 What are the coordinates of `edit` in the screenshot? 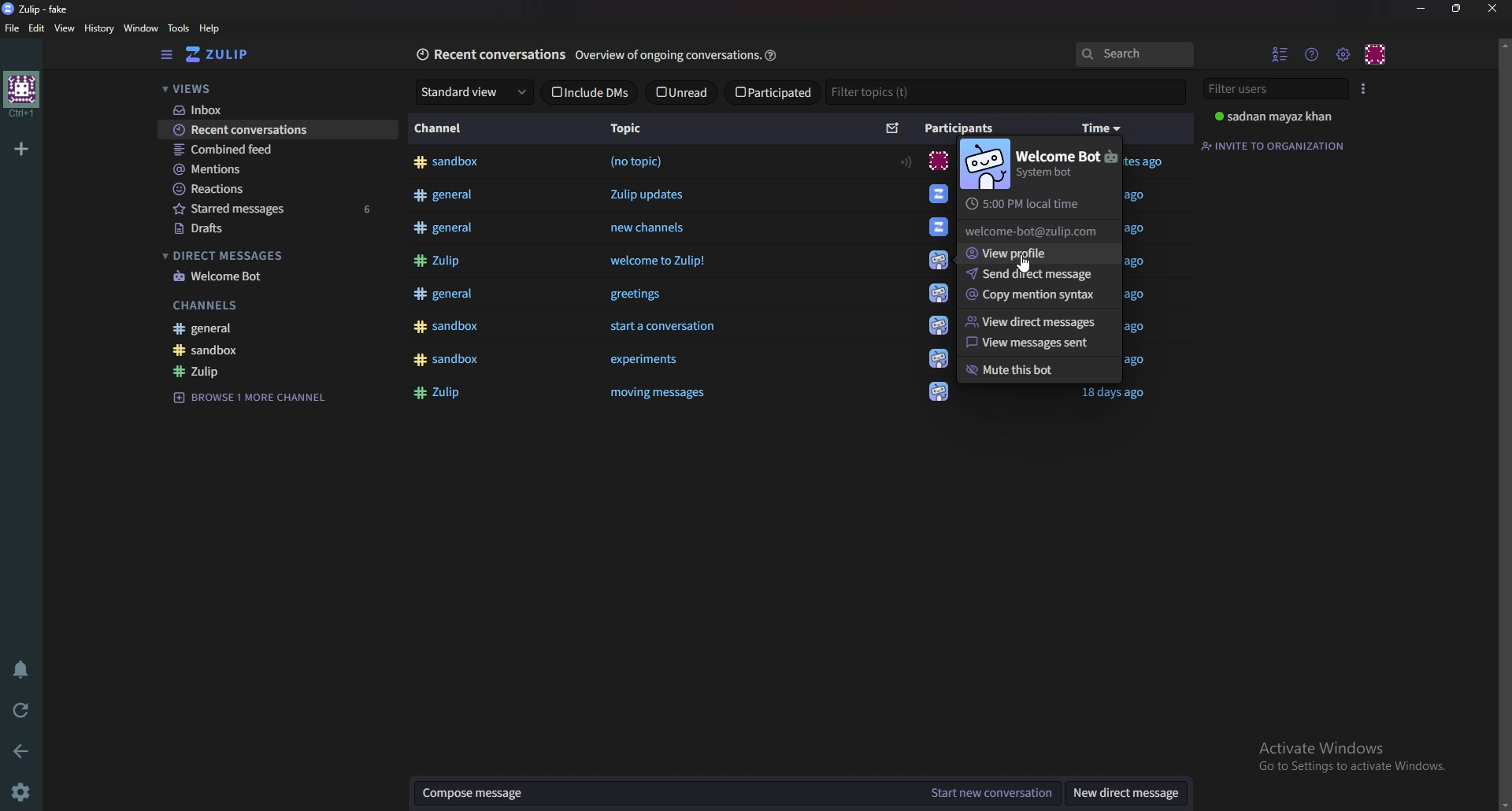 It's located at (36, 27).